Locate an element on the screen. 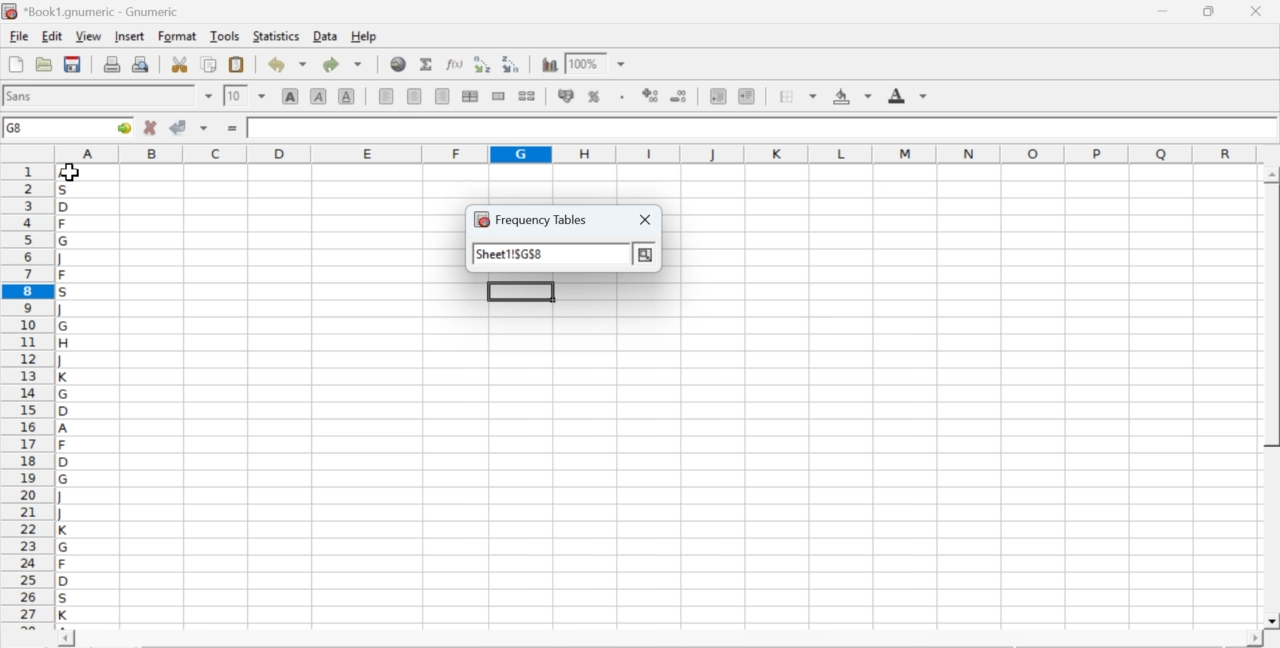  statistics is located at coordinates (274, 36).